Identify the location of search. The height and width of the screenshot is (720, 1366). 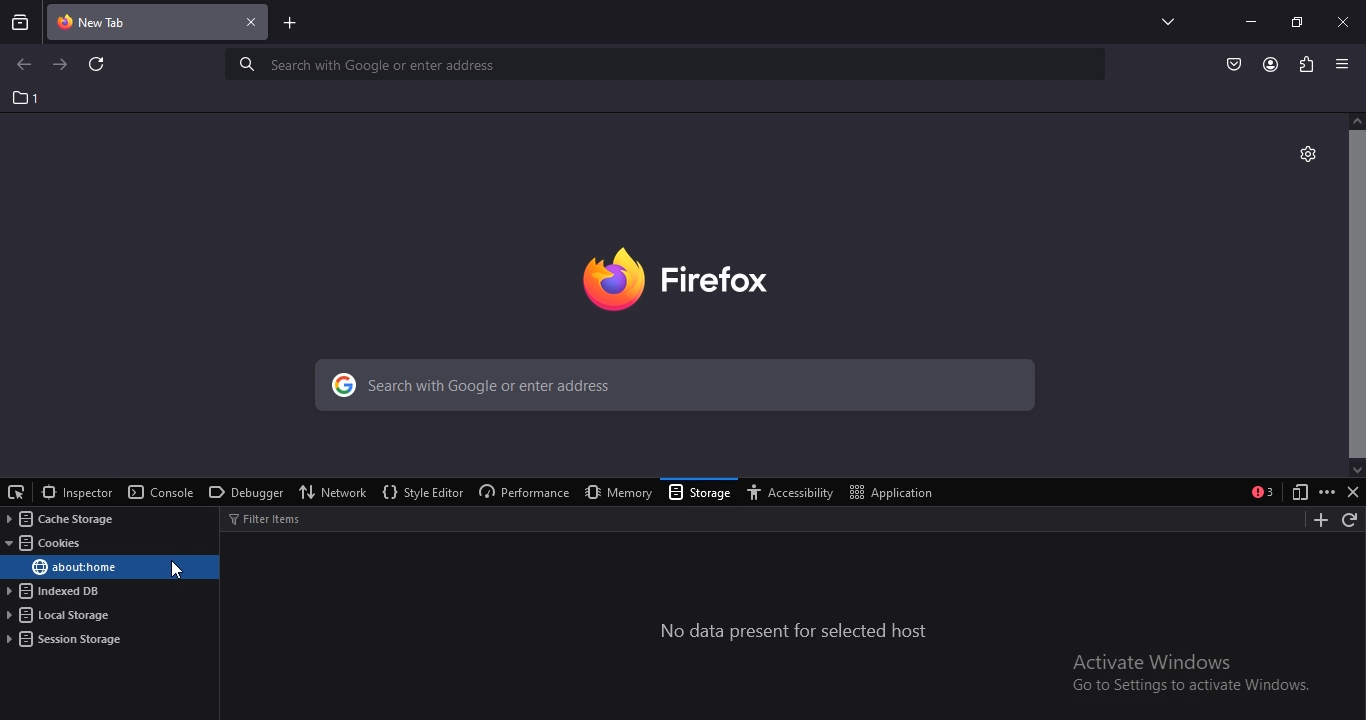
(670, 388).